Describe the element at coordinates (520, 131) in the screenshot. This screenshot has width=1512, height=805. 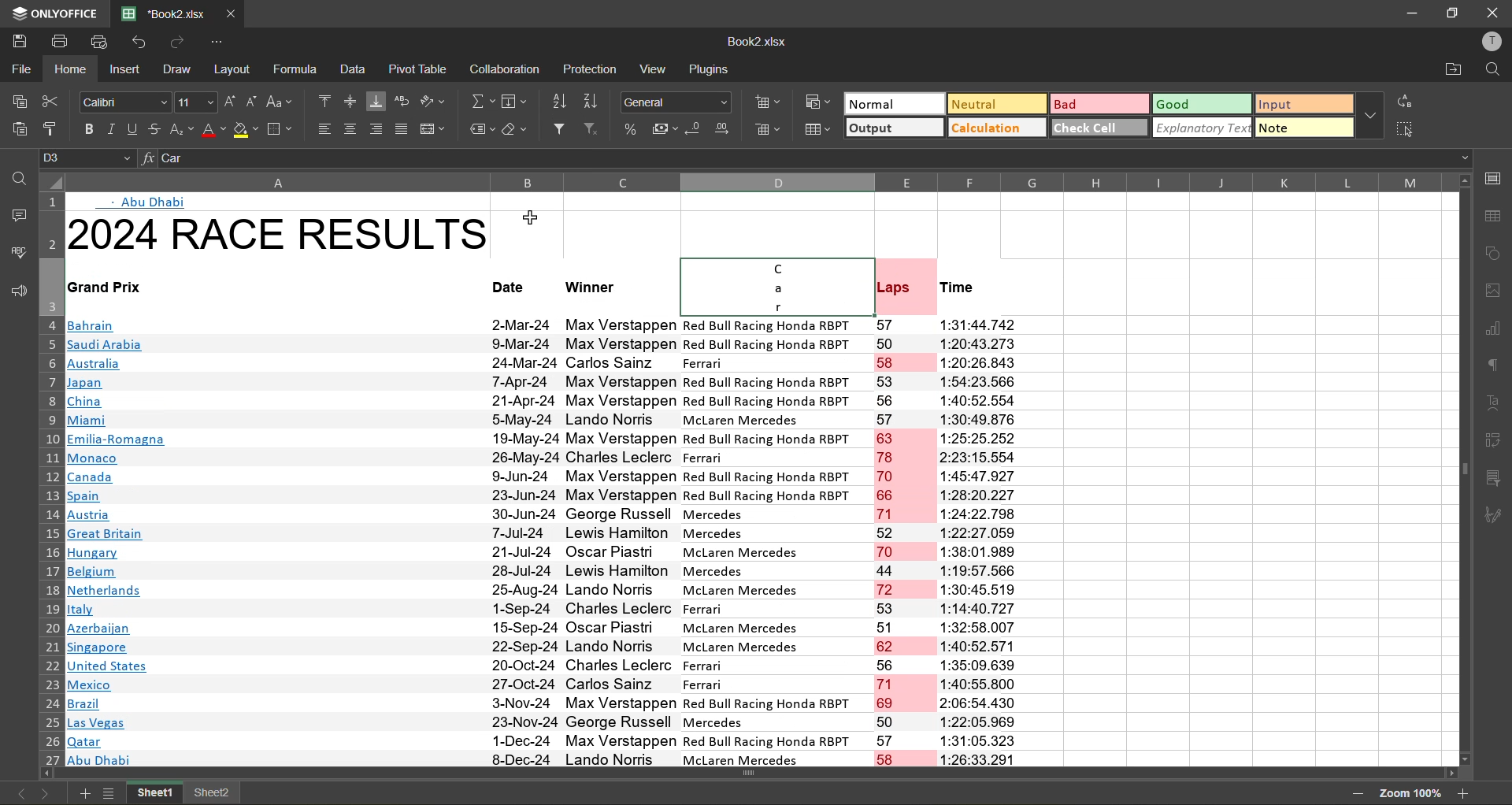
I see `clear` at that location.